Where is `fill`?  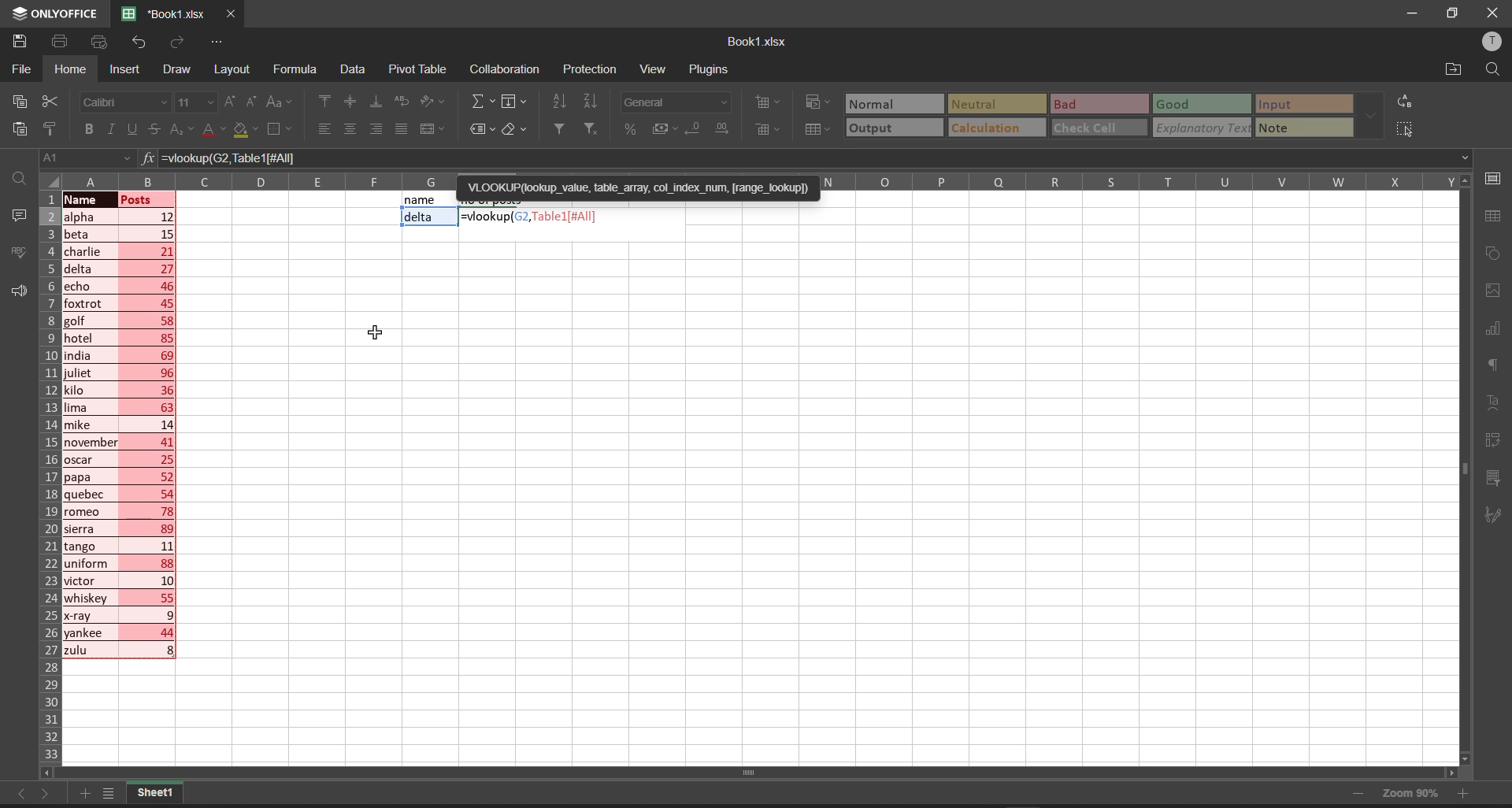 fill is located at coordinates (517, 102).